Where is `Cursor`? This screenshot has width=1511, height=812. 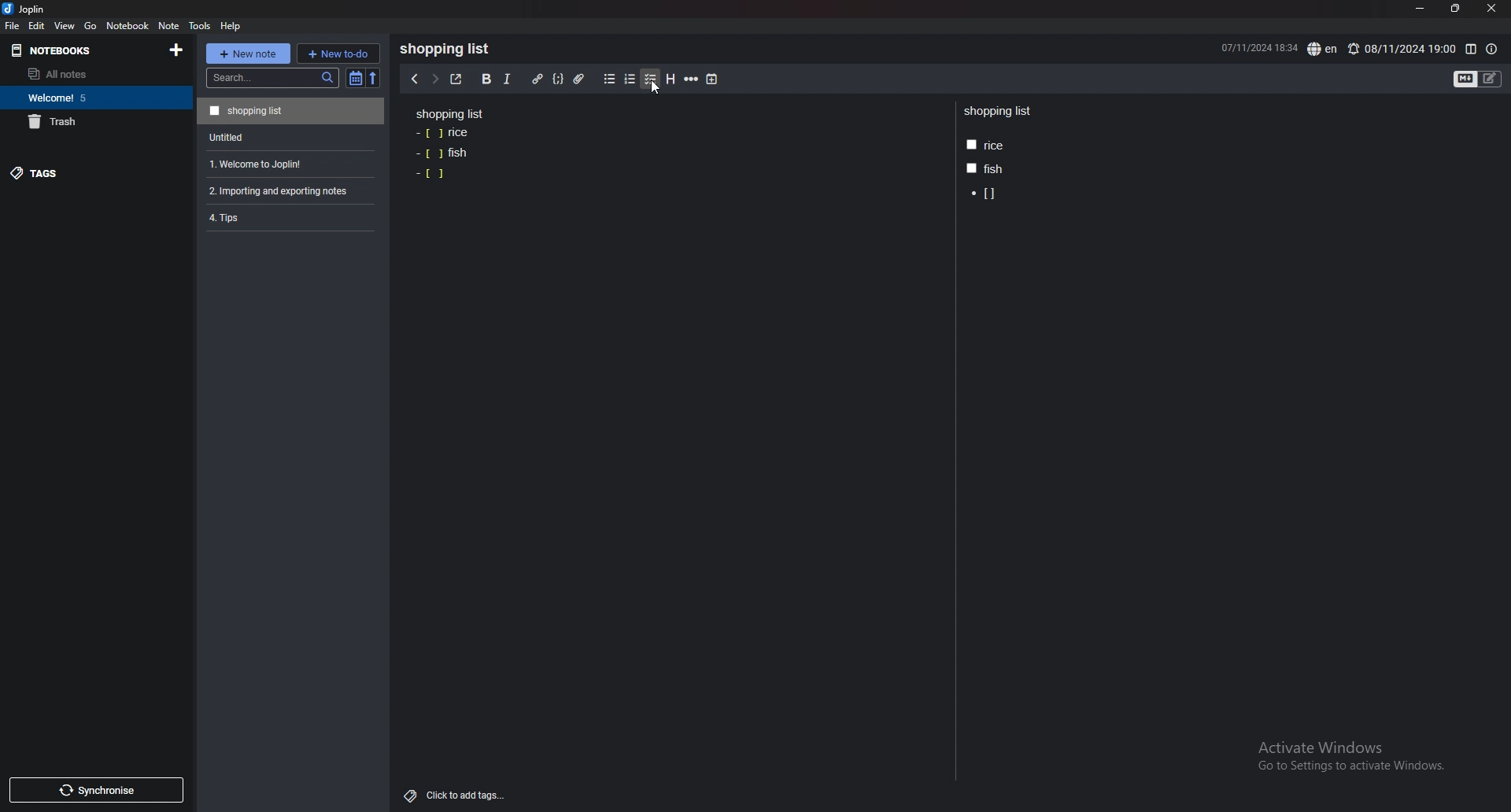 Cursor is located at coordinates (653, 88).